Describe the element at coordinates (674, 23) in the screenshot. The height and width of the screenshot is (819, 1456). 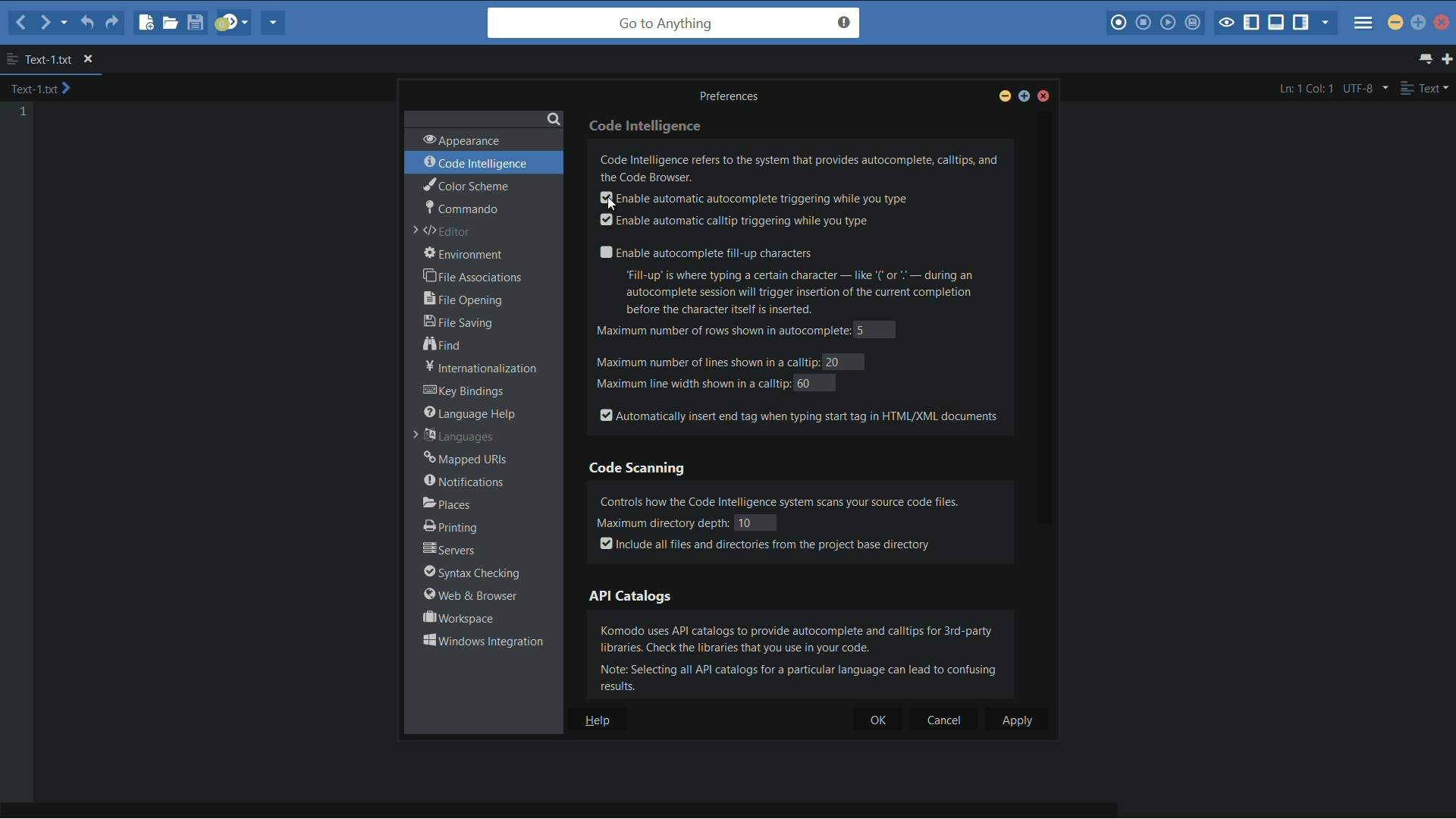
I see `go to anything ` at that location.